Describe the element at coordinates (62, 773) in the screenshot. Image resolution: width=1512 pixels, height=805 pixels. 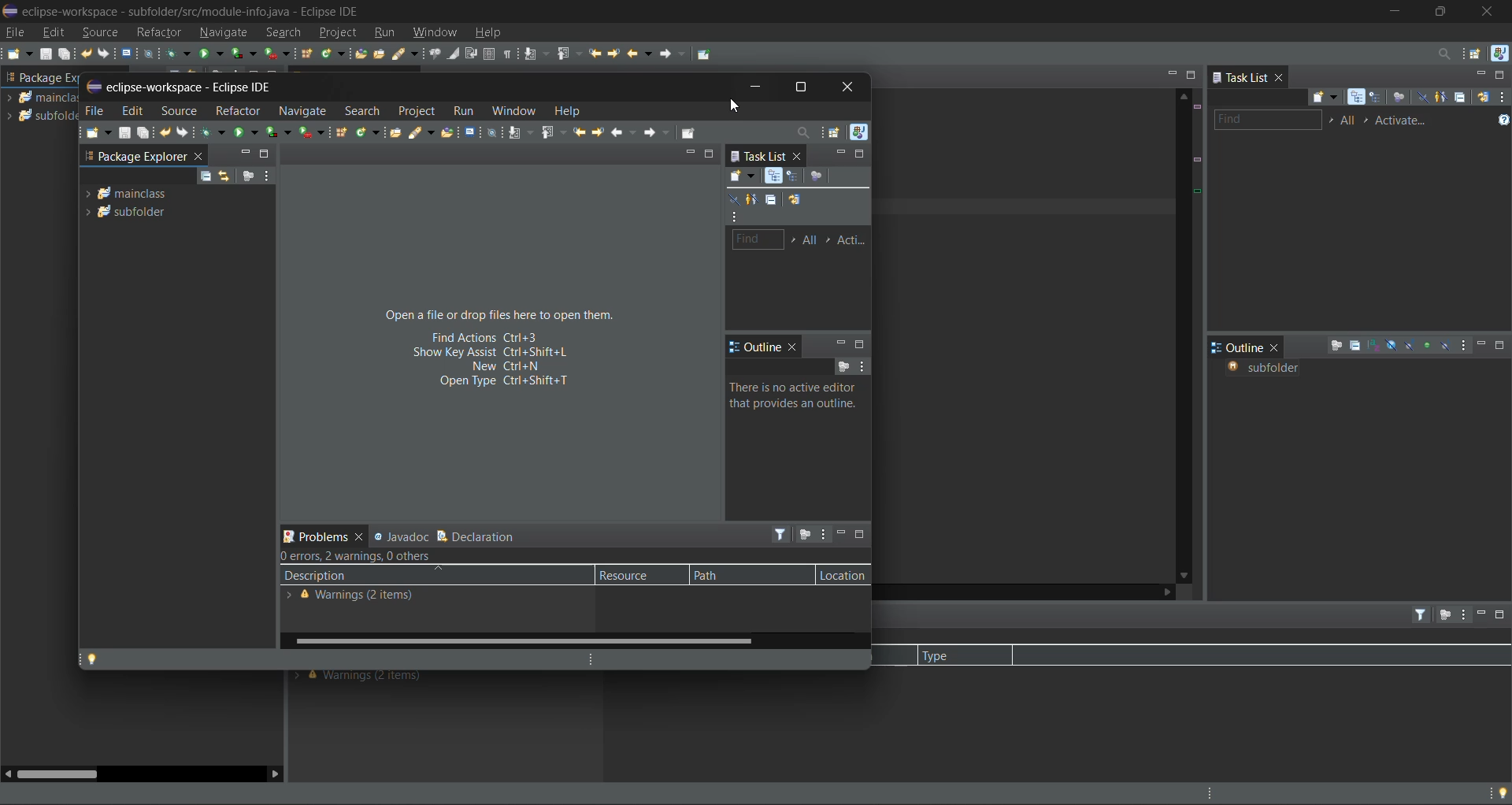
I see `horizontal scroll bar` at that location.